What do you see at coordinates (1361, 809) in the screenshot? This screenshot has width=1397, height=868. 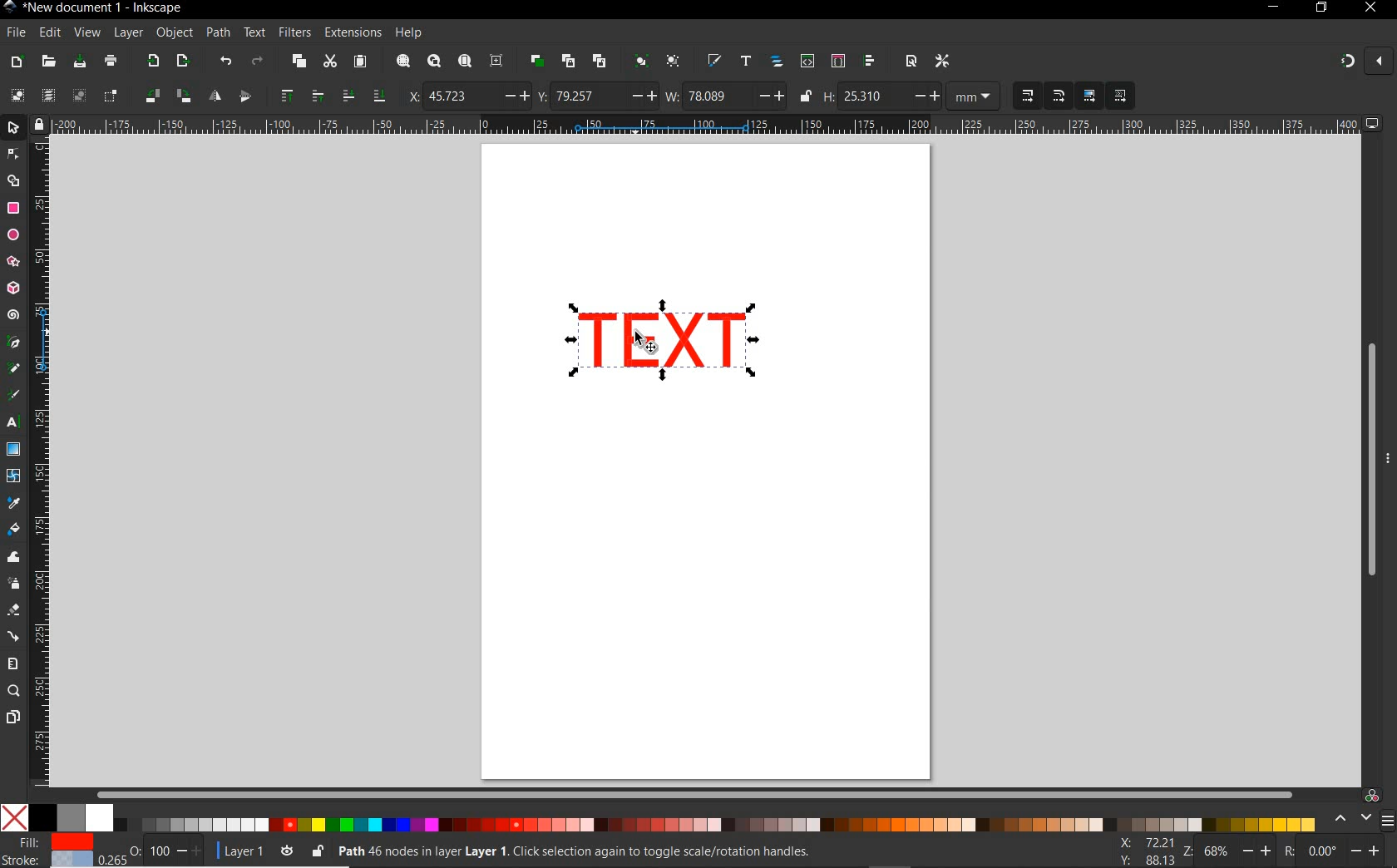 I see `COLOR MANAGED MODE` at bounding box center [1361, 809].